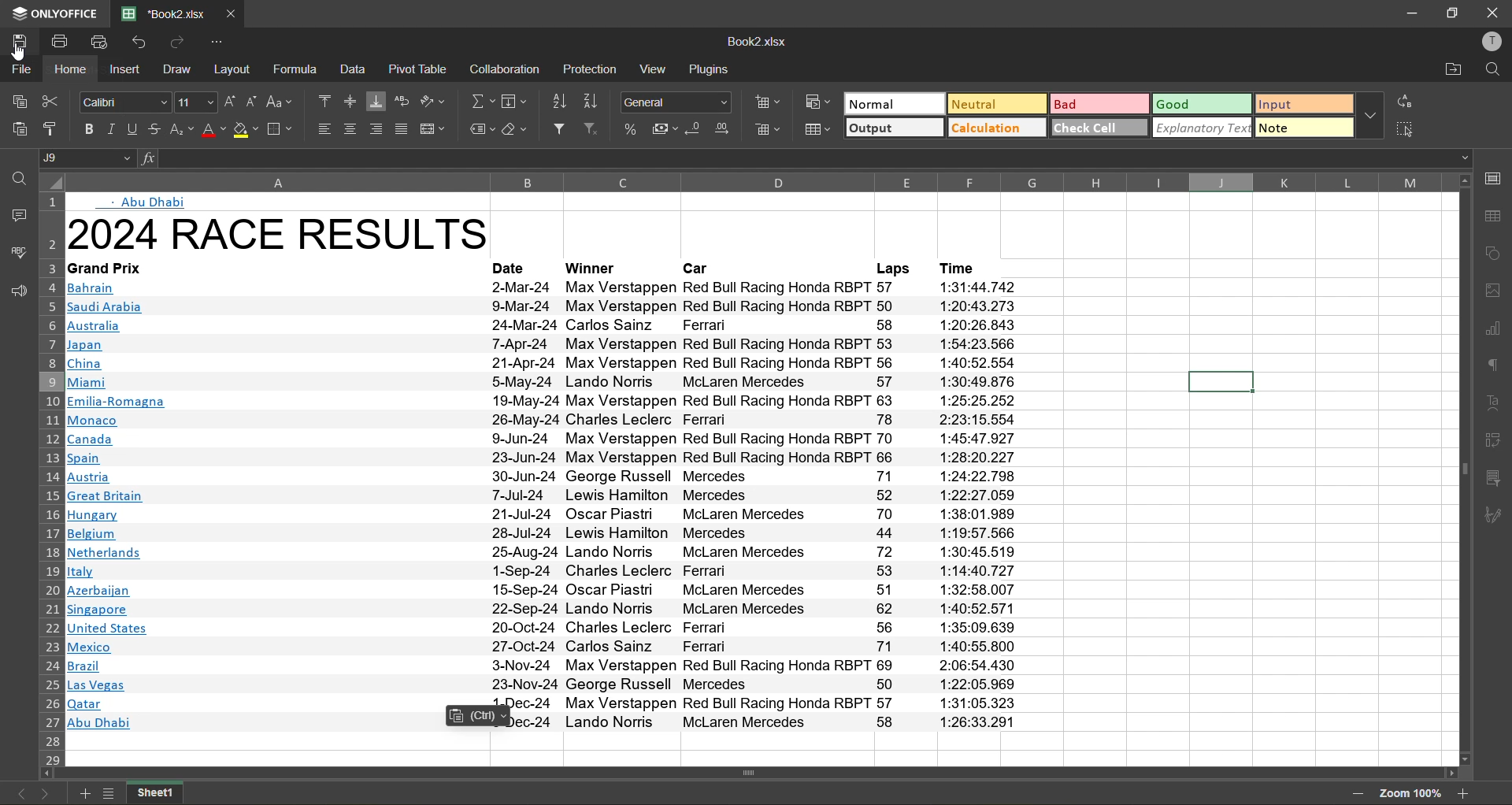 The height and width of the screenshot is (805, 1512). Describe the element at coordinates (480, 127) in the screenshot. I see `named ranges` at that location.